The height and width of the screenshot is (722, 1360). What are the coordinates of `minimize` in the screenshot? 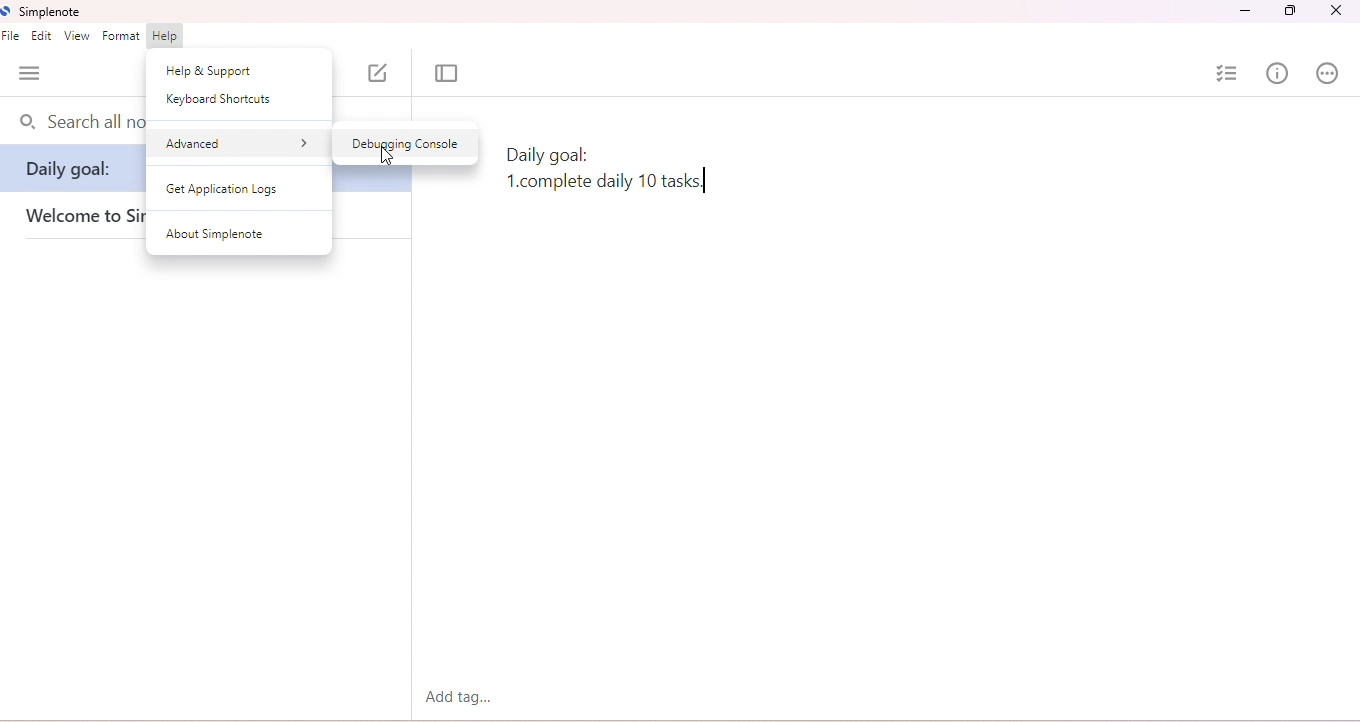 It's located at (1242, 13).